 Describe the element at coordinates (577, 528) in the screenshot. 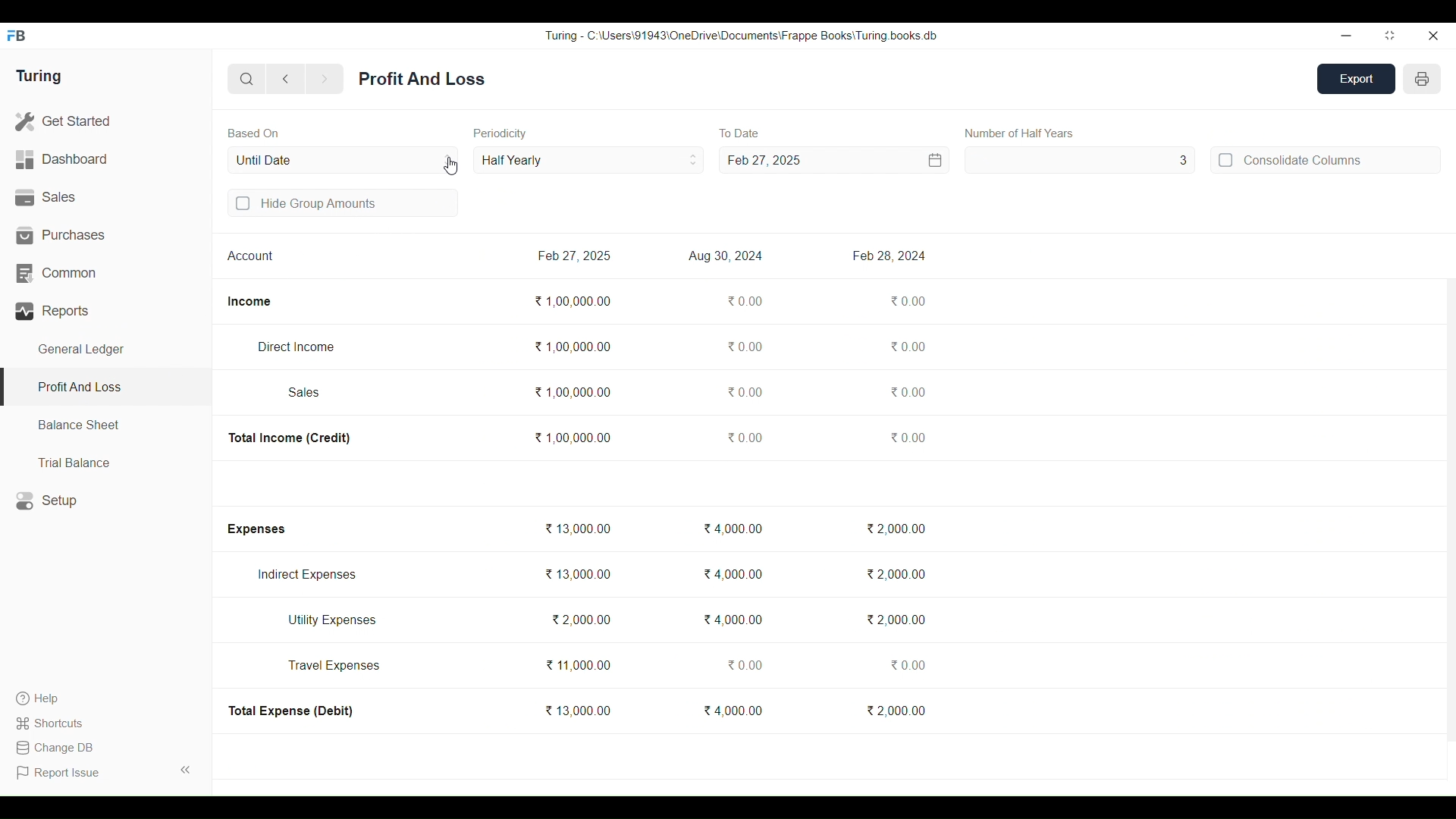

I see `13,000.00` at that location.